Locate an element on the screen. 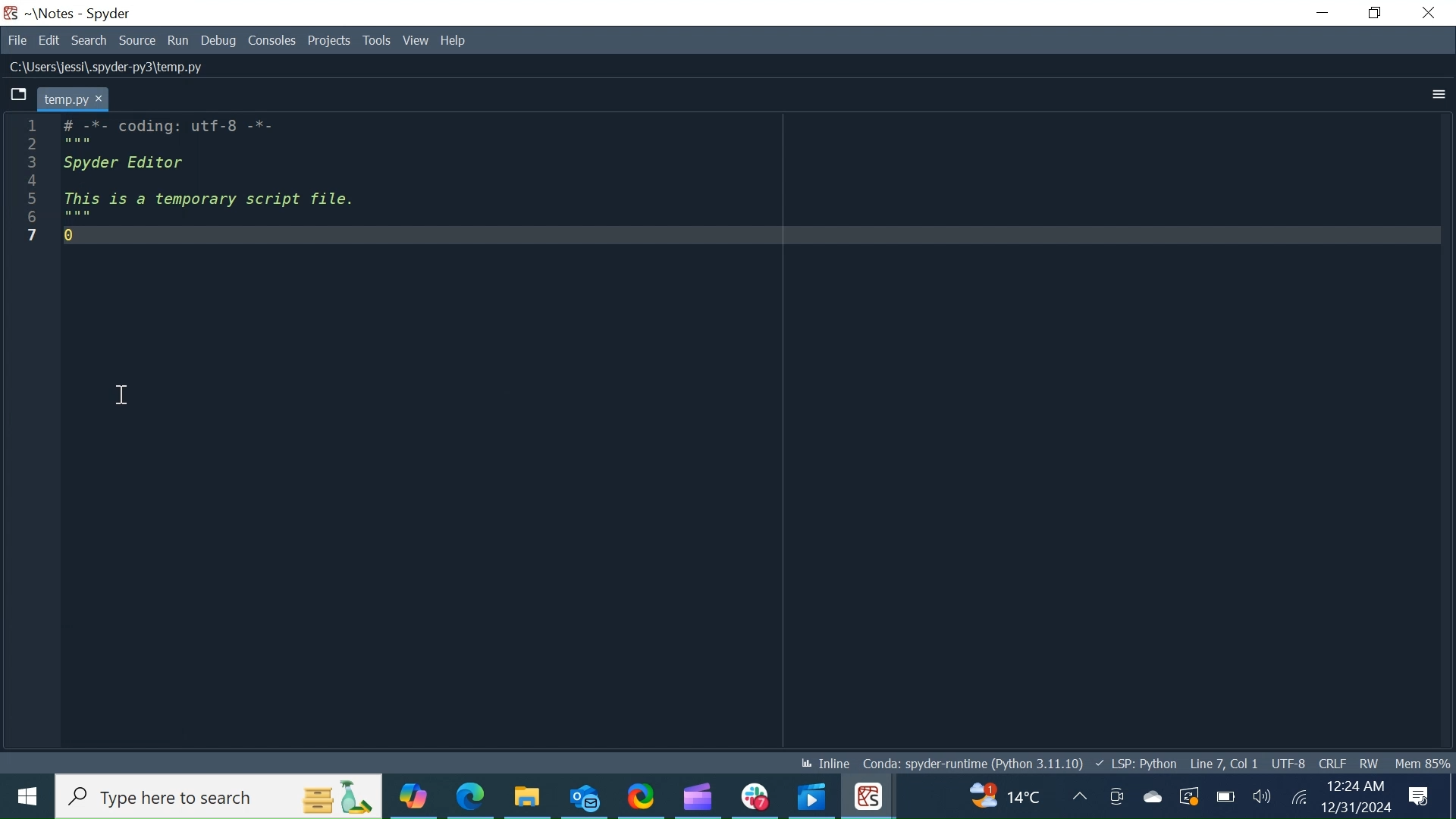  Updates is located at coordinates (990, 795).